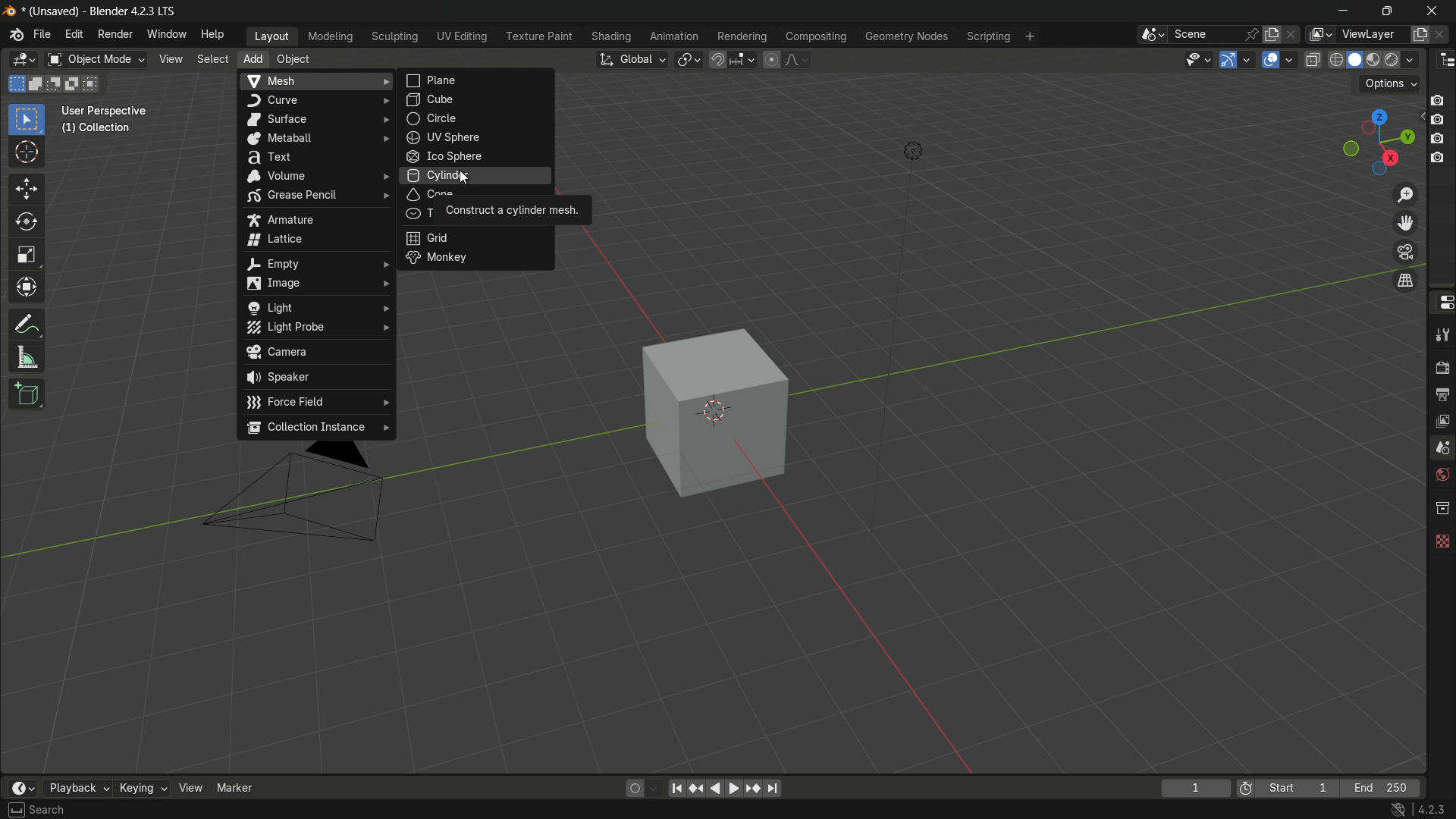 The image size is (1456, 819). What do you see at coordinates (27, 288) in the screenshot?
I see `transform` at bounding box center [27, 288].